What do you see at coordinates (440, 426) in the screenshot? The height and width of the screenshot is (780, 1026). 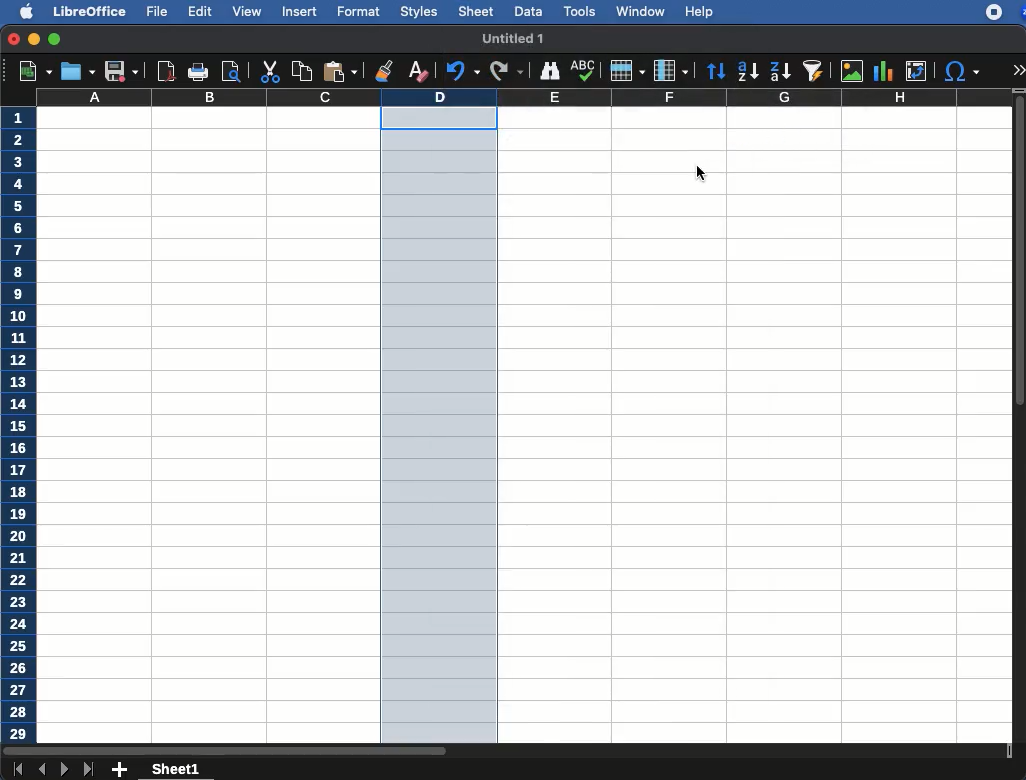 I see `column selected` at bounding box center [440, 426].